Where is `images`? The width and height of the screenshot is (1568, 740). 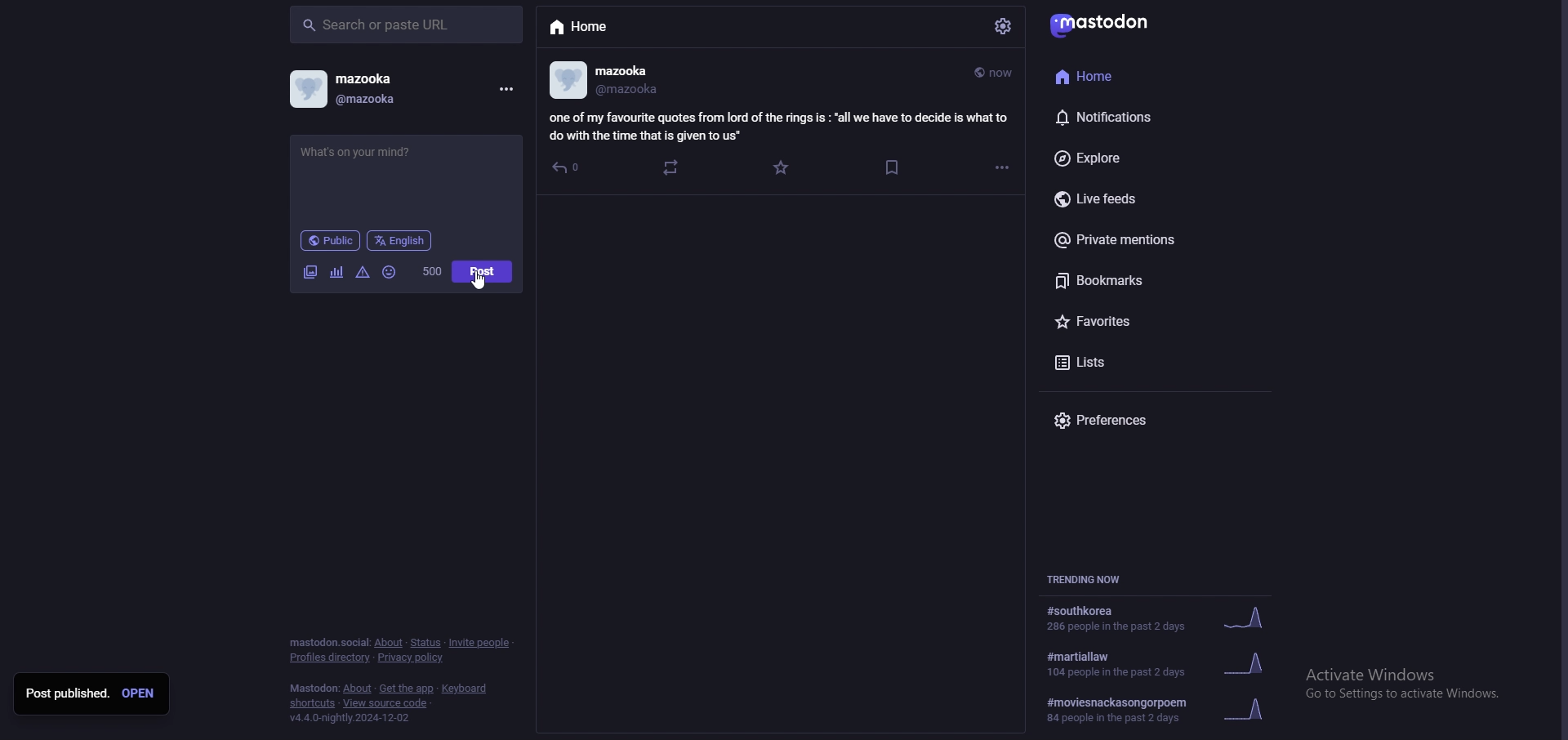 images is located at coordinates (310, 274).